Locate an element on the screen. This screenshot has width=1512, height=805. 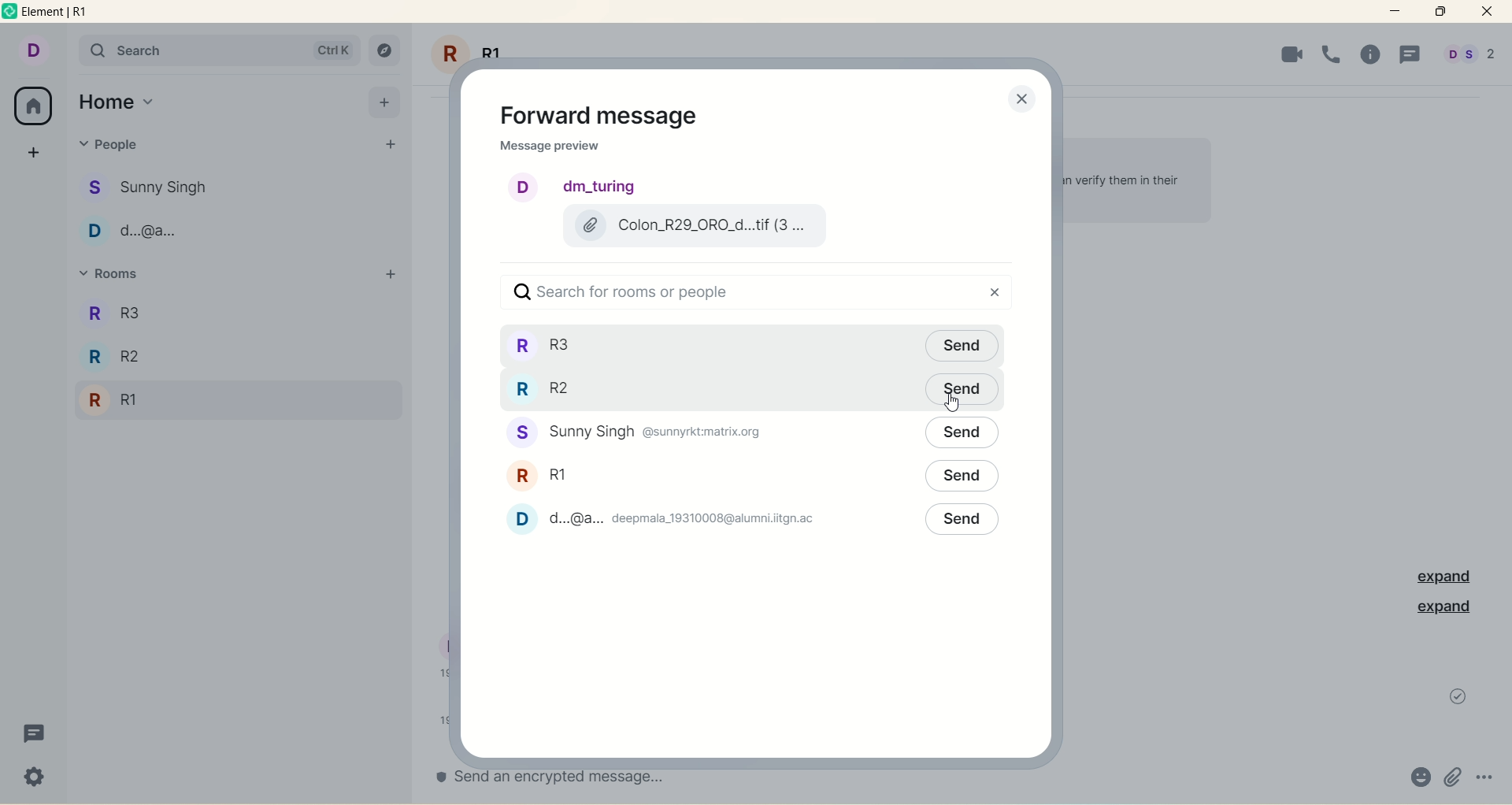
cursor is located at coordinates (955, 404).